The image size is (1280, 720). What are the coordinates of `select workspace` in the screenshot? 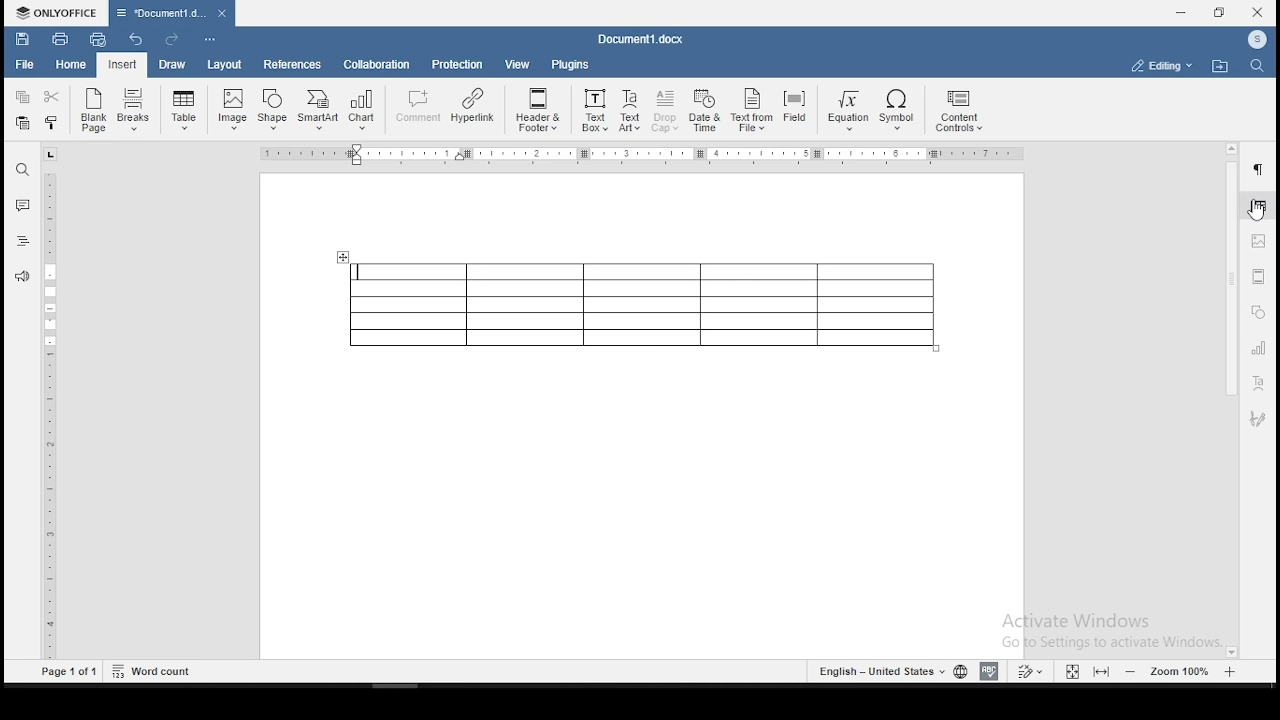 It's located at (1159, 64).